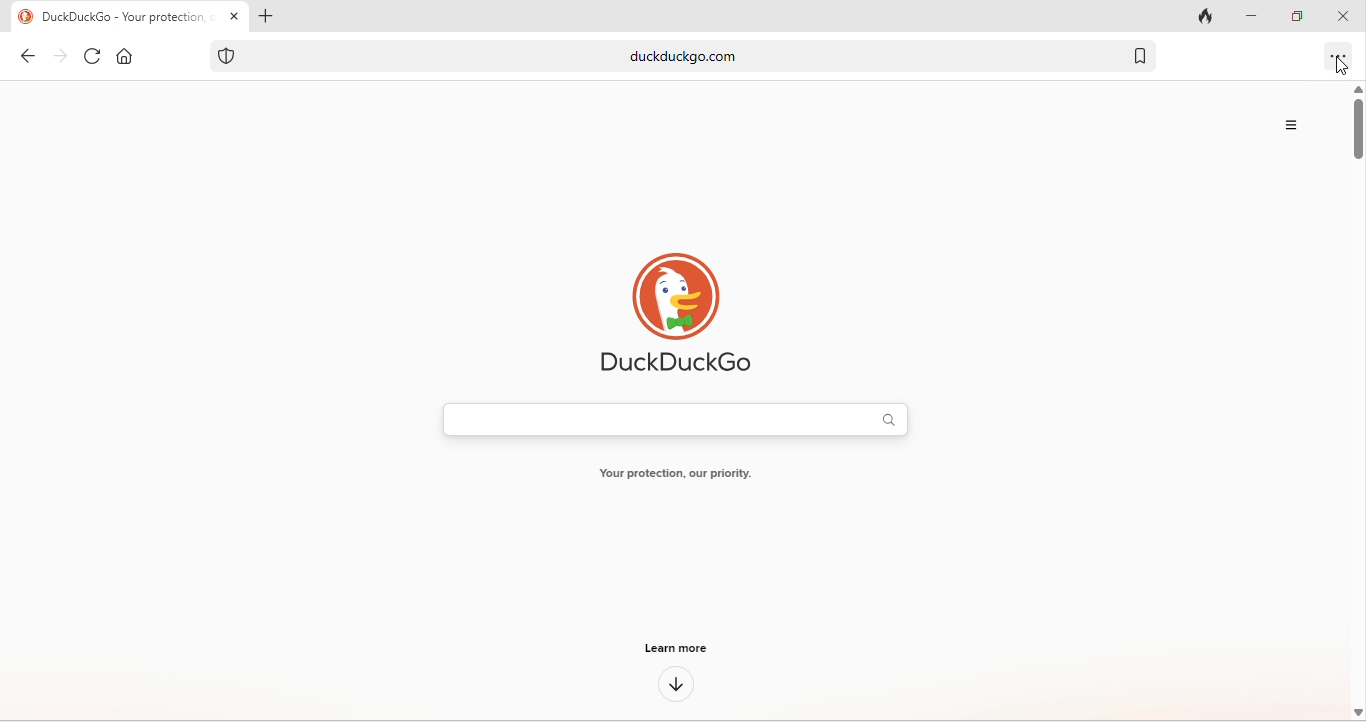  Describe the element at coordinates (93, 56) in the screenshot. I see `refresh` at that location.